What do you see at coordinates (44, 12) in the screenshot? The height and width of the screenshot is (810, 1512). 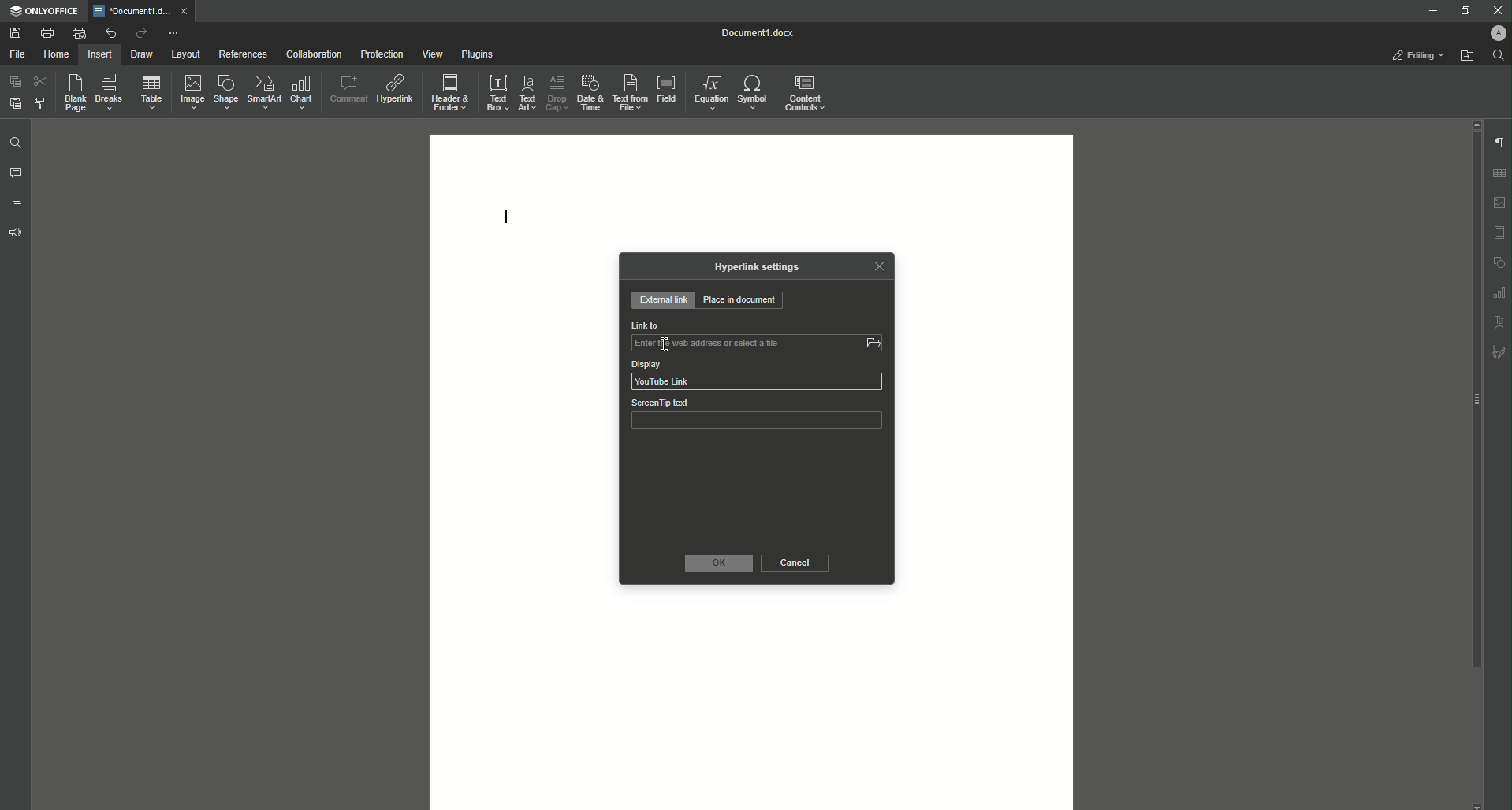 I see `ONLYOFFICE` at bounding box center [44, 12].